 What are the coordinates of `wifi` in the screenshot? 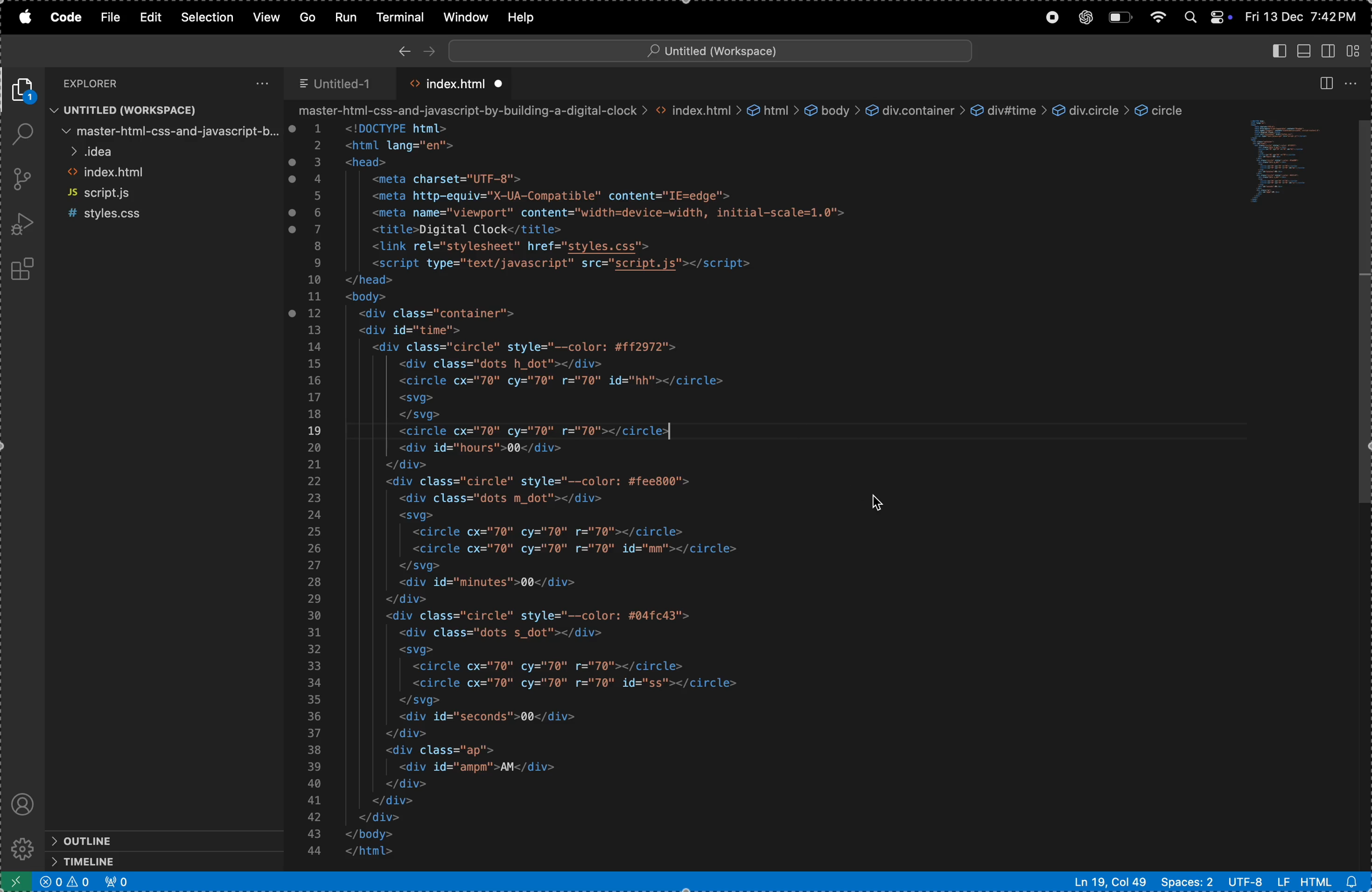 It's located at (1159, 18).